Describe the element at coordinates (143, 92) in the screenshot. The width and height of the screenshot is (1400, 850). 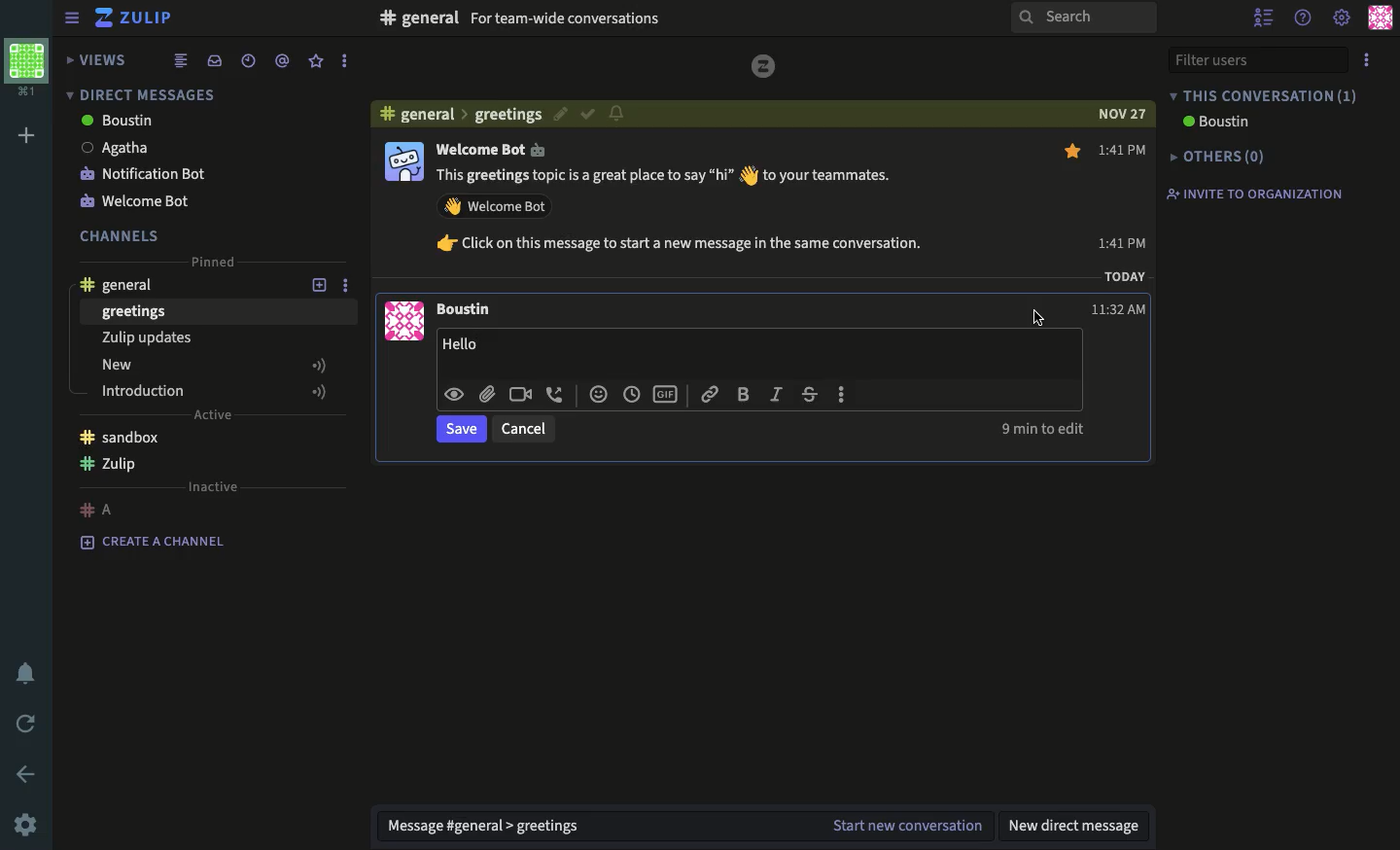
I see `direct messages` at that location.